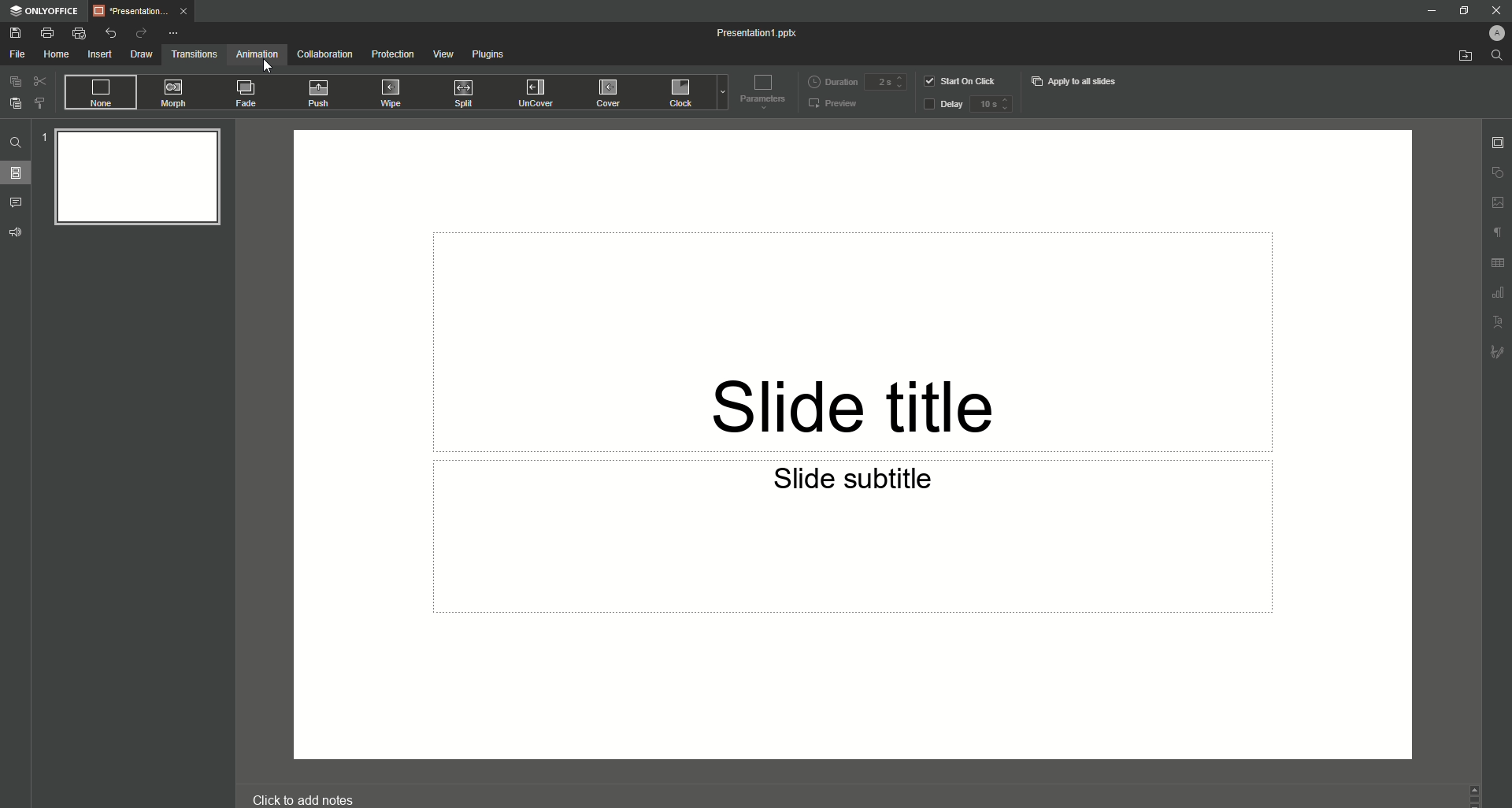 The height and width of the screenshot is (808, 1512). What do you see at coordinates (466, 93) in the screenshot?
I see `Split` at bounding box center [466, 93].